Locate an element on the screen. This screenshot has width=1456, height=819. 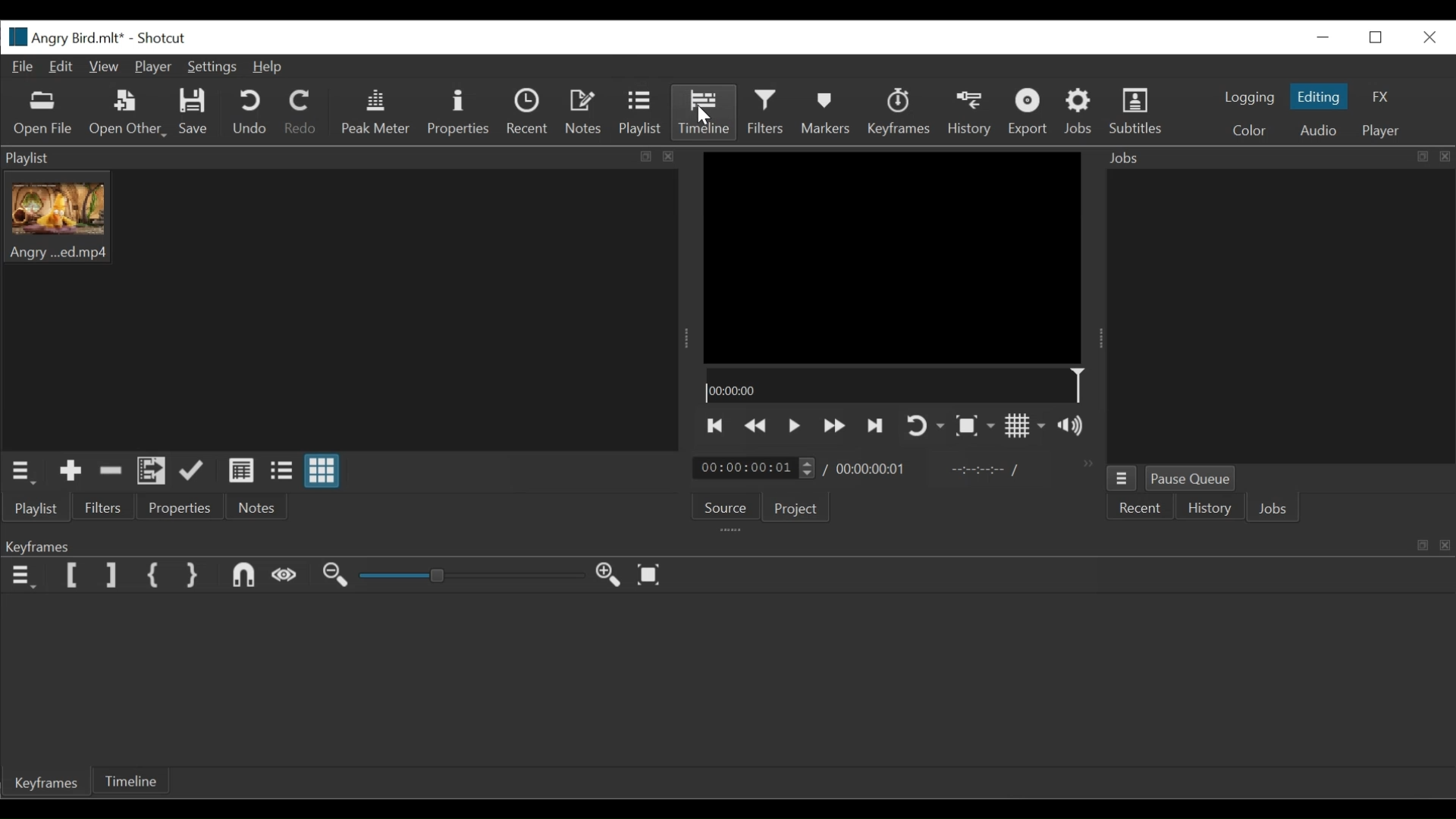
Append is located at coordinates (194, 472).